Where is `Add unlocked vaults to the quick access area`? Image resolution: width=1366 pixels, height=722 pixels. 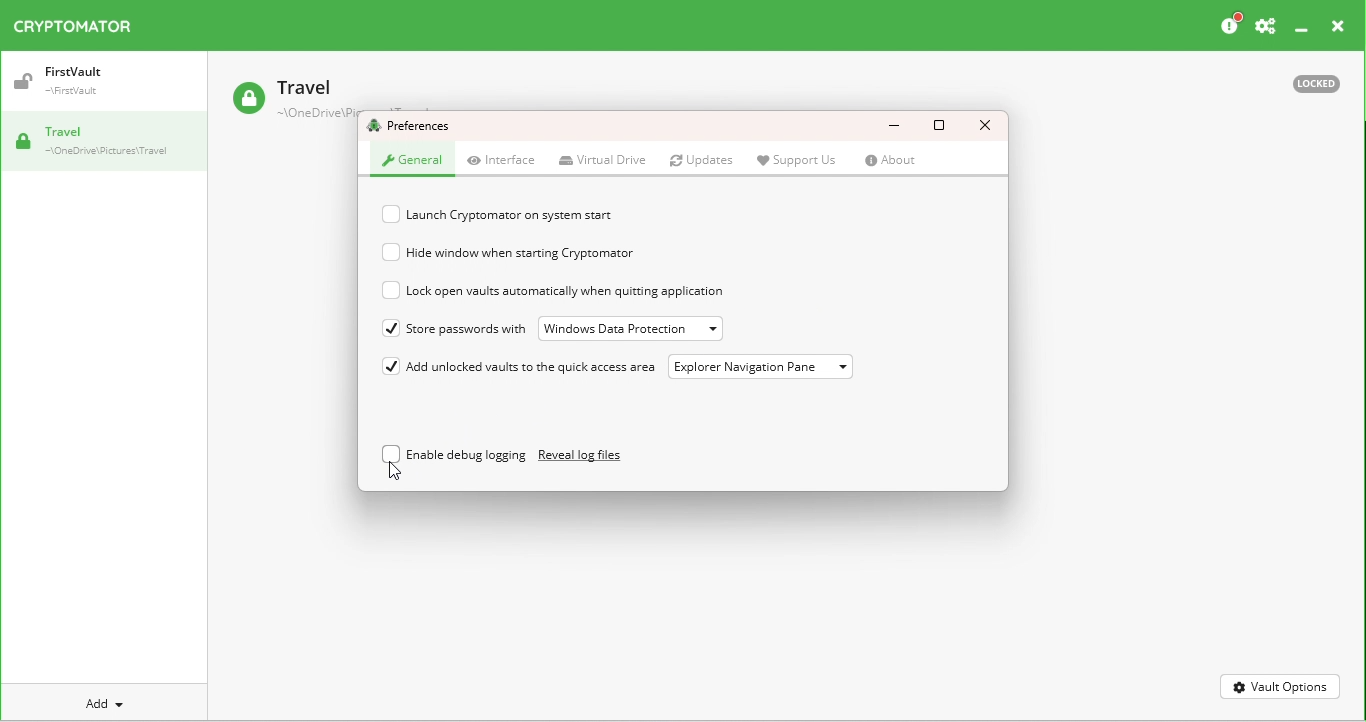
Add unlocked vaults to the quick access area is located at coordinates (538, 369).